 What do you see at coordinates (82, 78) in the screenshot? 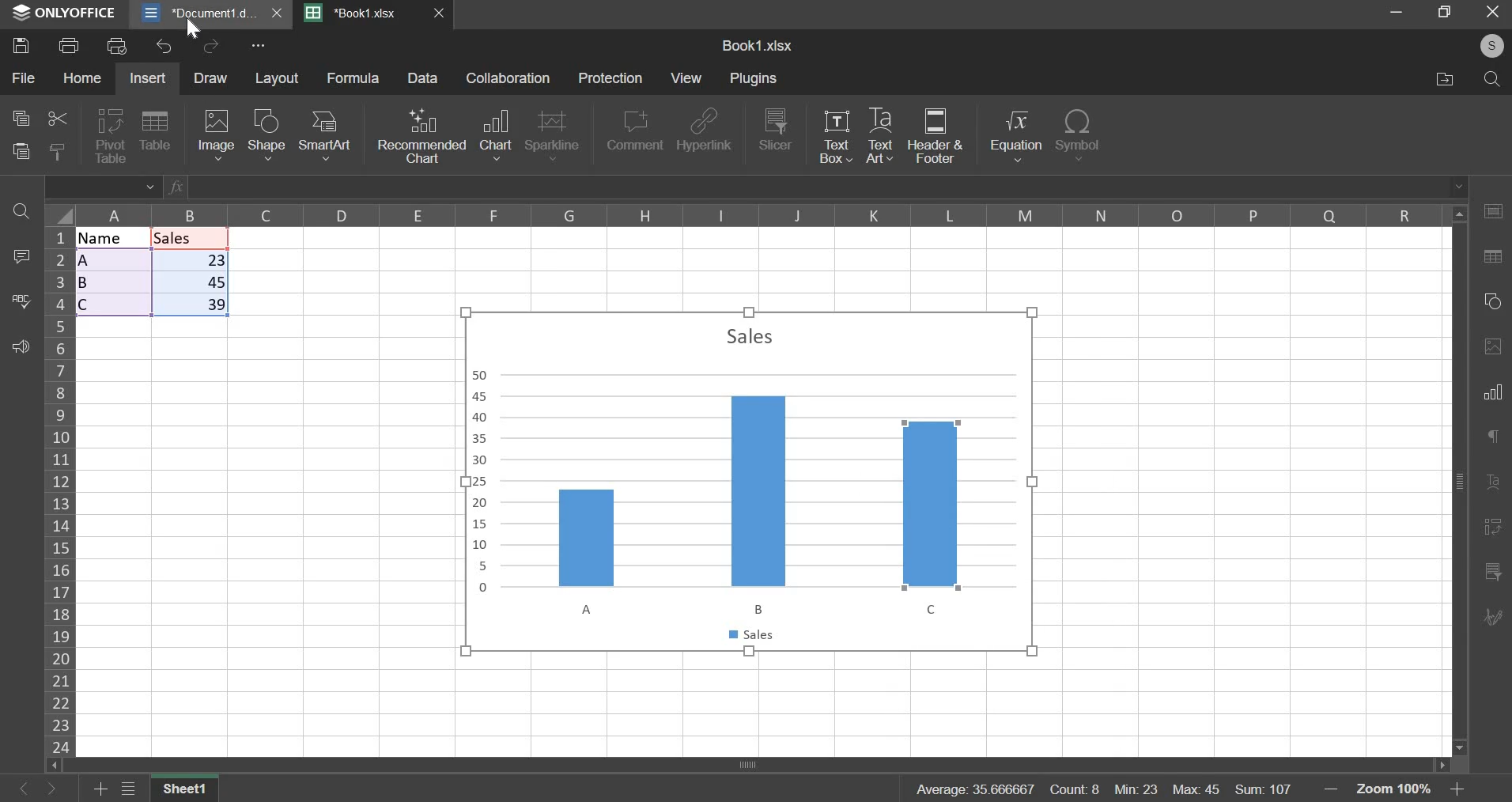
I see `home` at bounding box center [82, 78].